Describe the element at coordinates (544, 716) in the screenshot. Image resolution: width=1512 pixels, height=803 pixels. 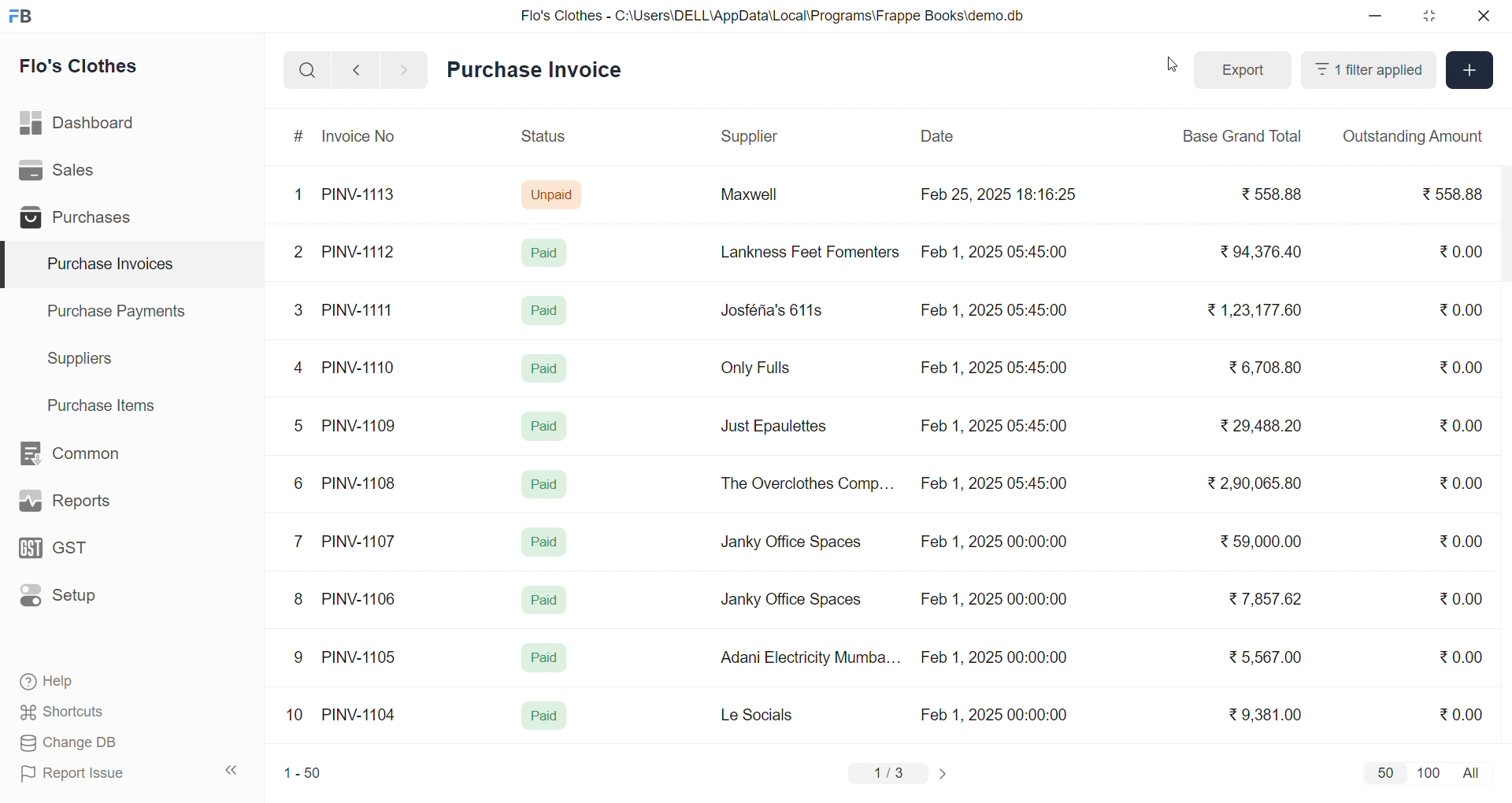
I see `Paid` at that location.